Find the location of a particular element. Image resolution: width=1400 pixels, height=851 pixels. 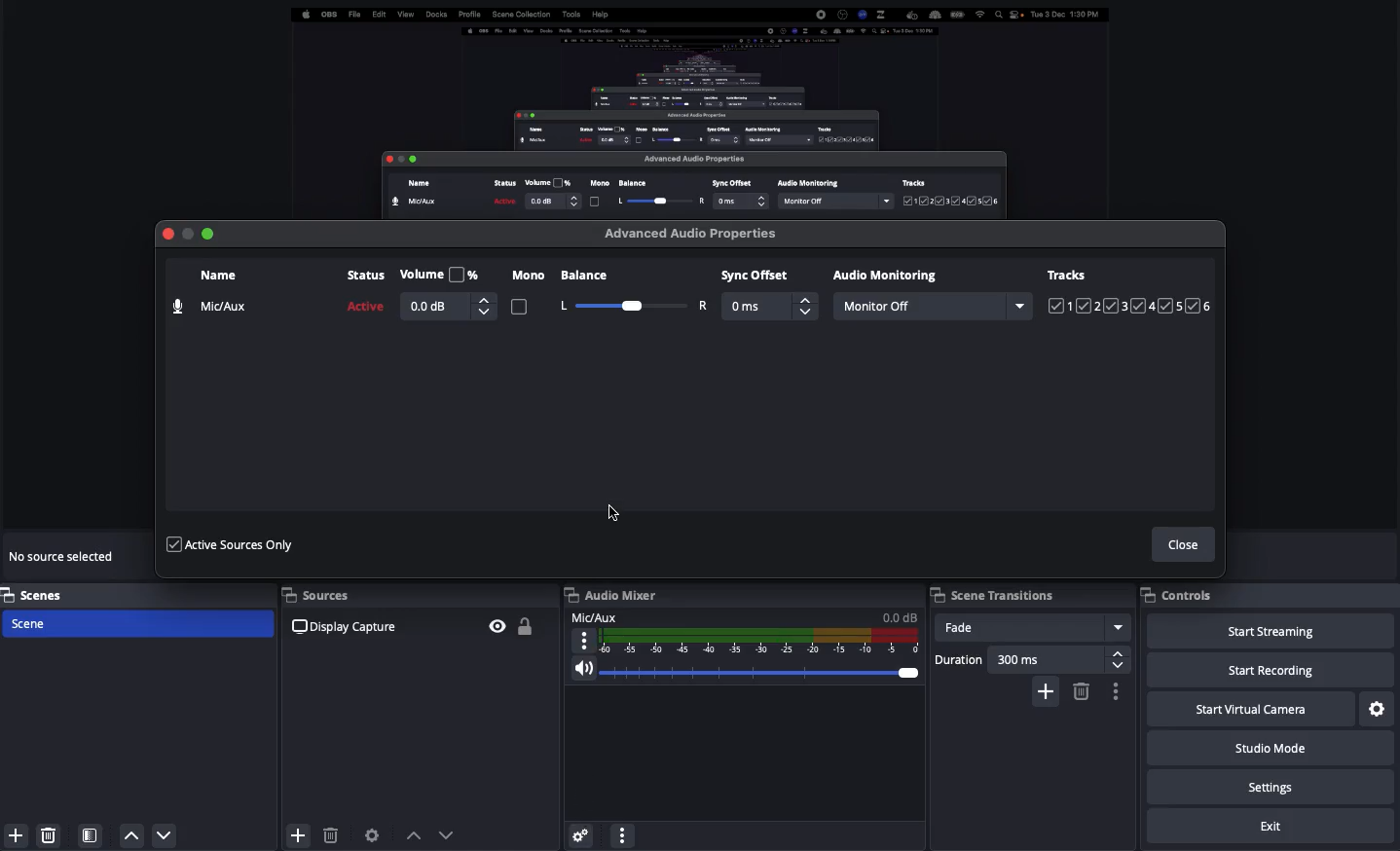

add is located at coordinates (19, 834).